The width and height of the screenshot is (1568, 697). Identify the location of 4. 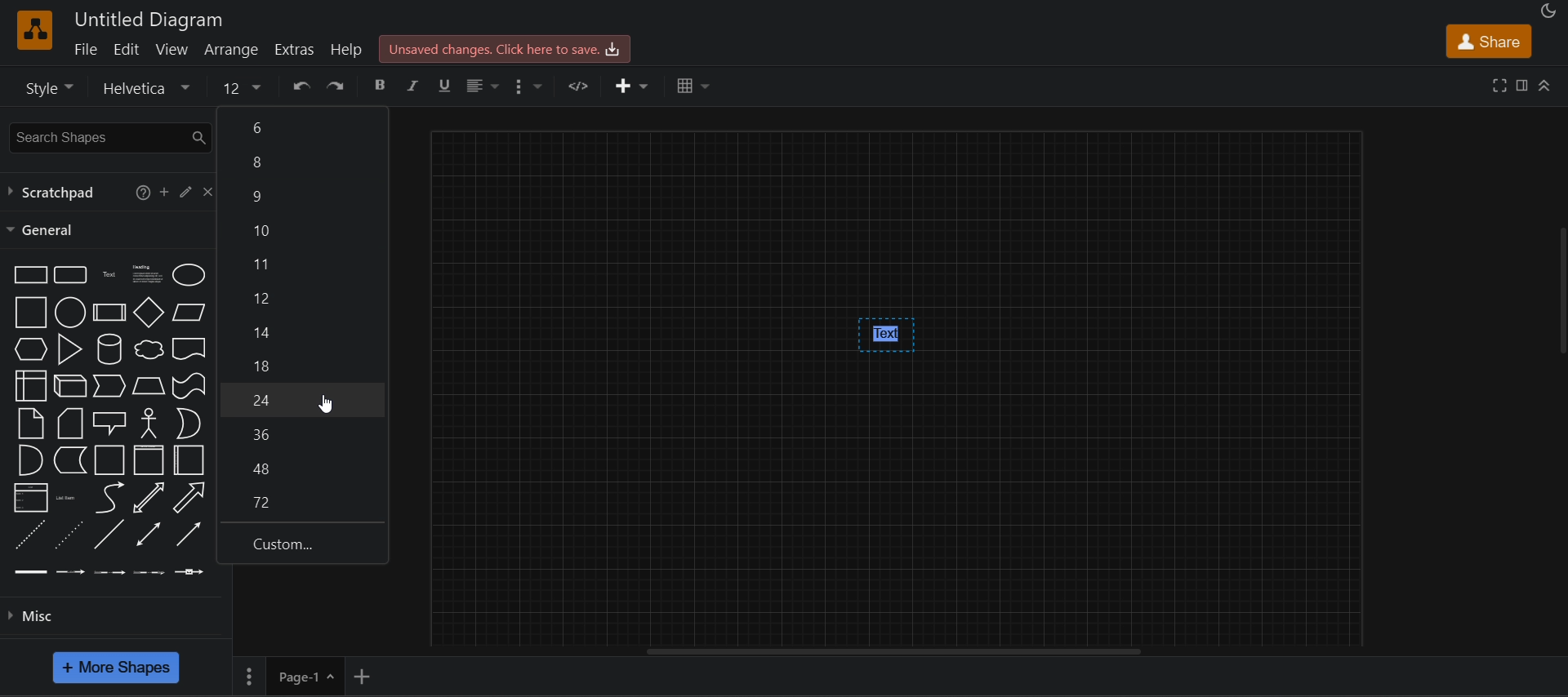
(302, 401).